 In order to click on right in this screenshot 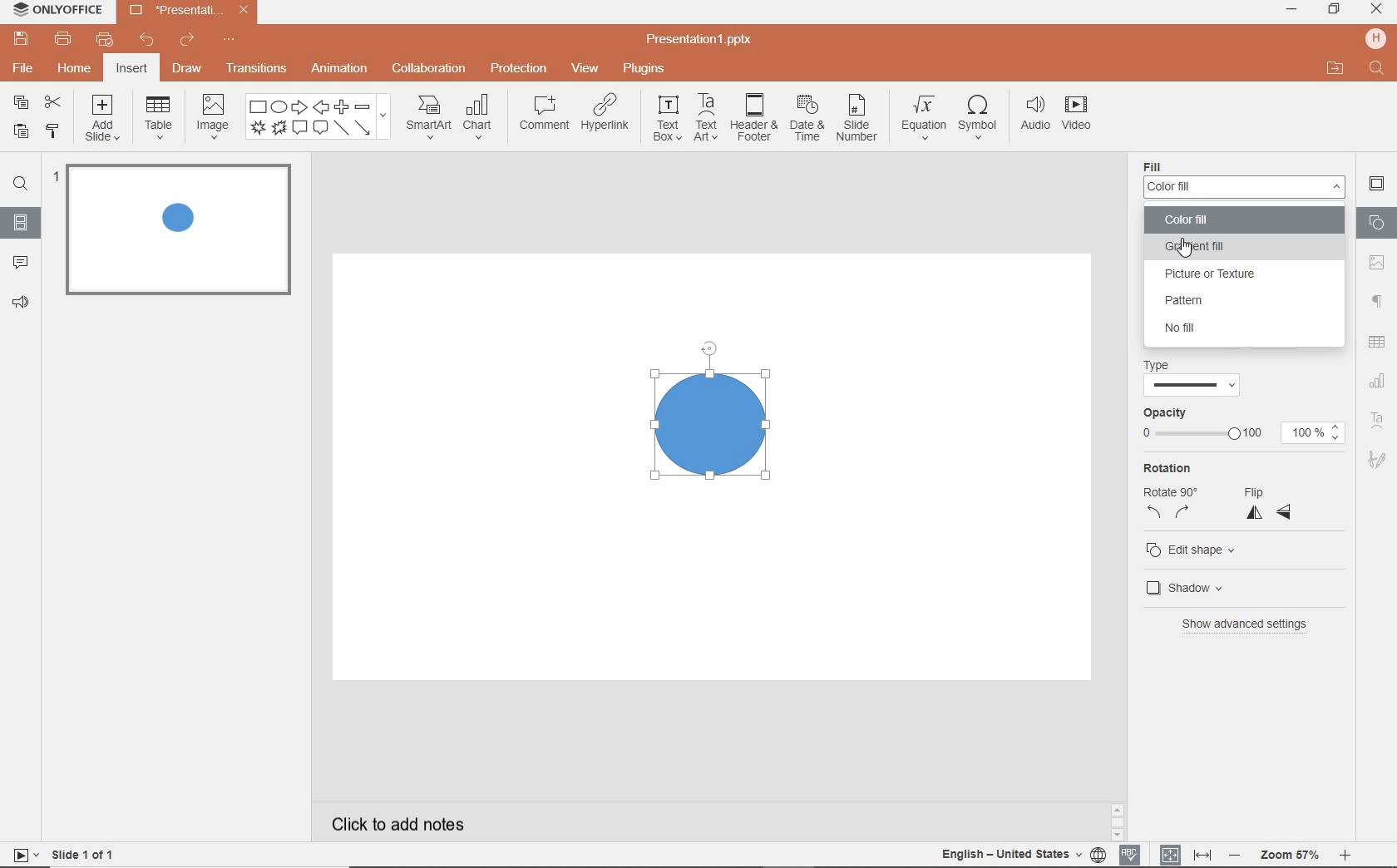, I will do `click(1183, 515)`.